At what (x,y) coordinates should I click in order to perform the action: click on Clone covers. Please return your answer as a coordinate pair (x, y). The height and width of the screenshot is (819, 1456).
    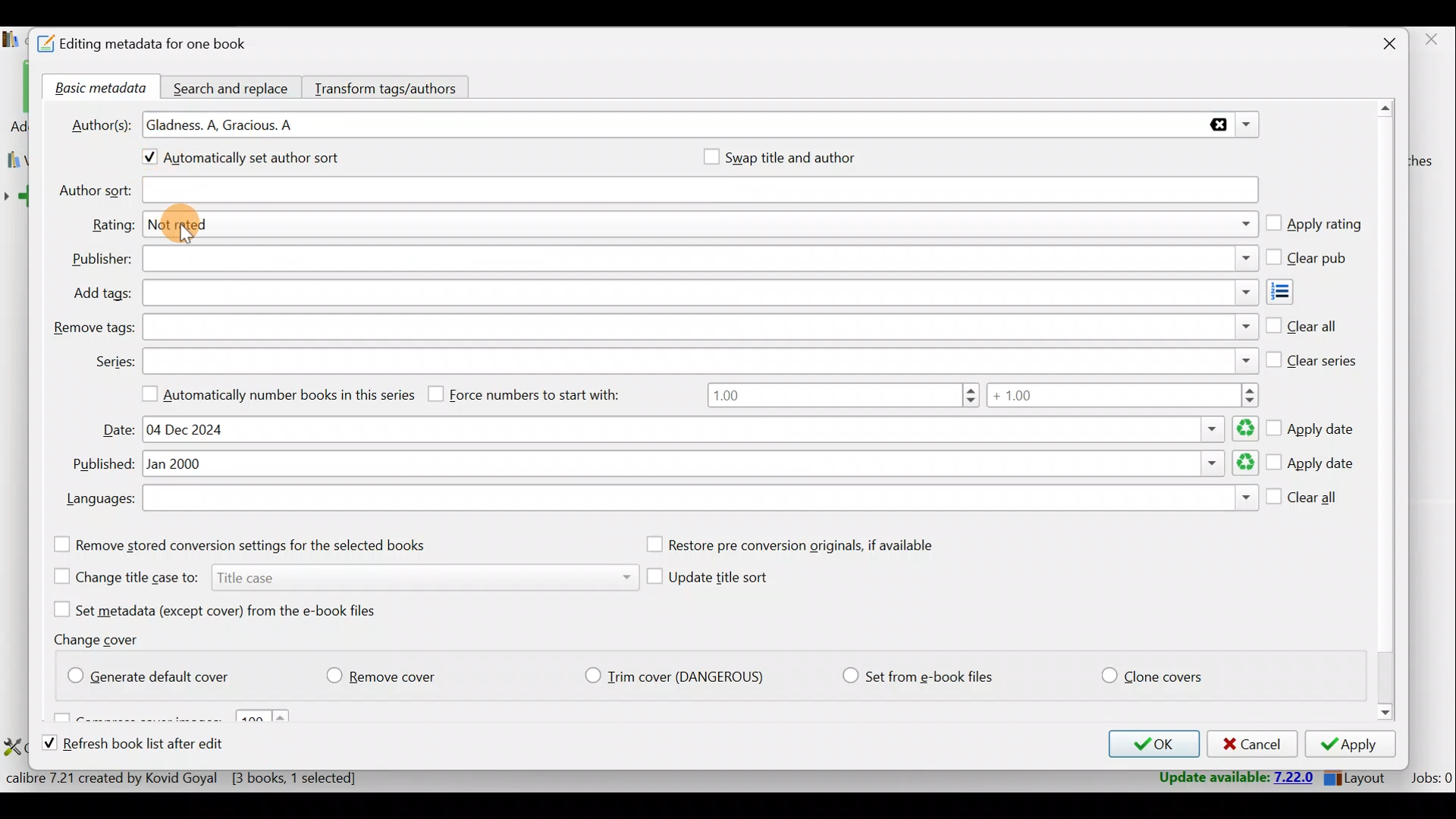
    Looking at the image, I should click on (1149, 673).